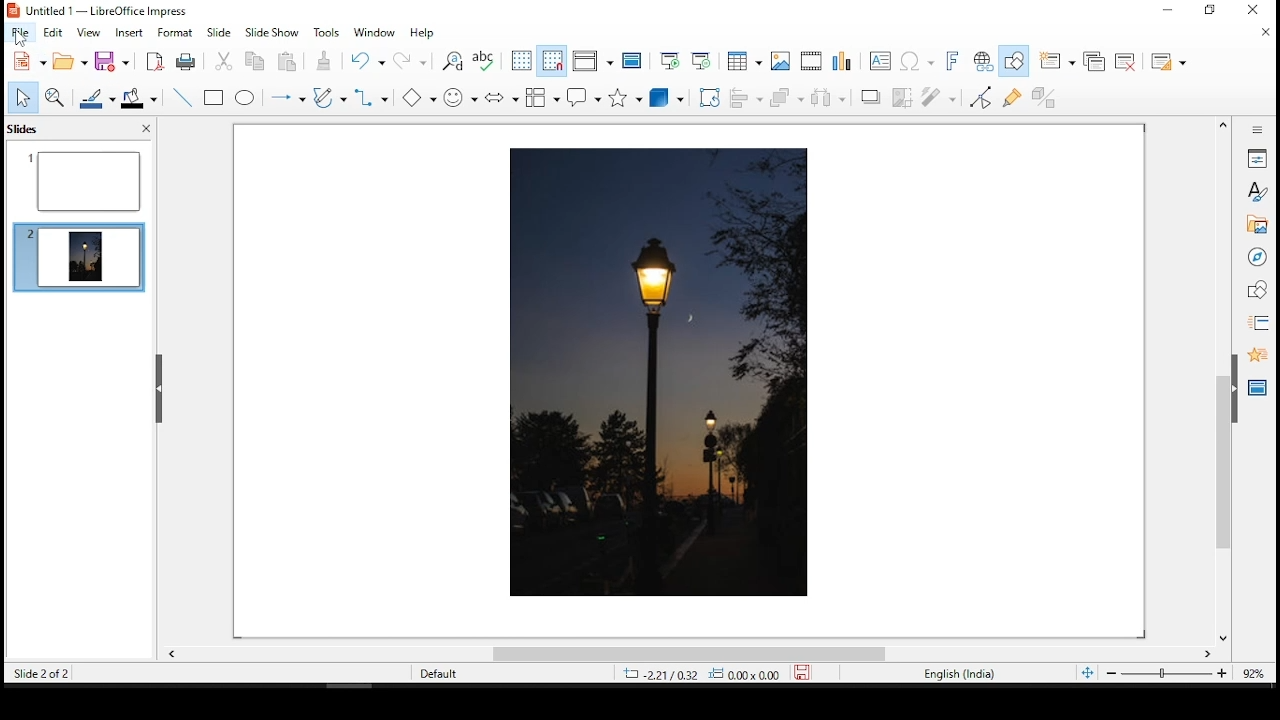 Image resolution: width=1280 pixels, height=720 pixels. What do you see at coordinates (439, 673) in the screenshot?
I see `Default` at bounding box center [439, 673].